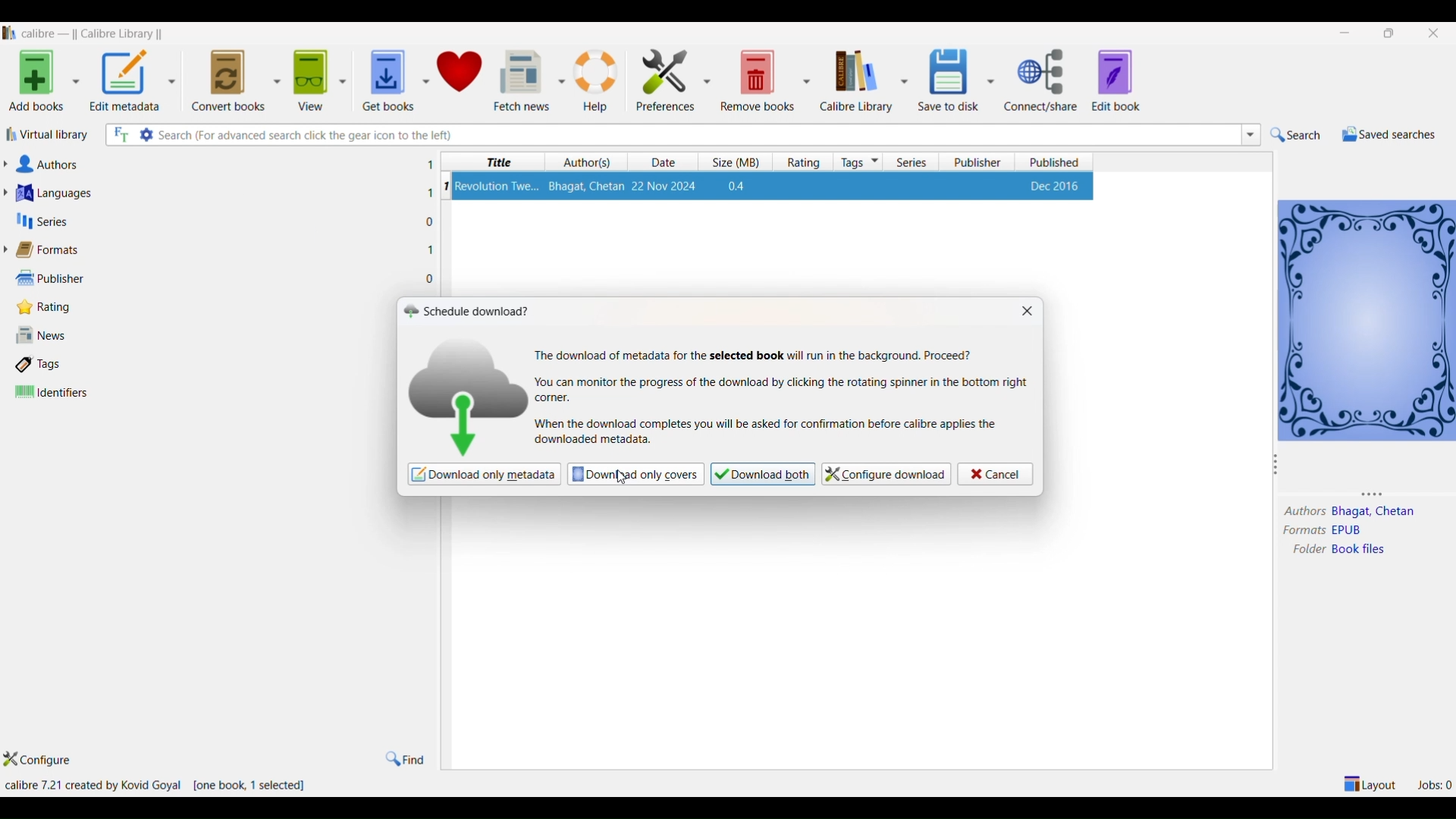 The width and height of the screenshot is (1456, 819). What do you see at coordinates (807, 79) in the screenshot?
I see `remove books options dropdown button` at bounding box center [807, 79].